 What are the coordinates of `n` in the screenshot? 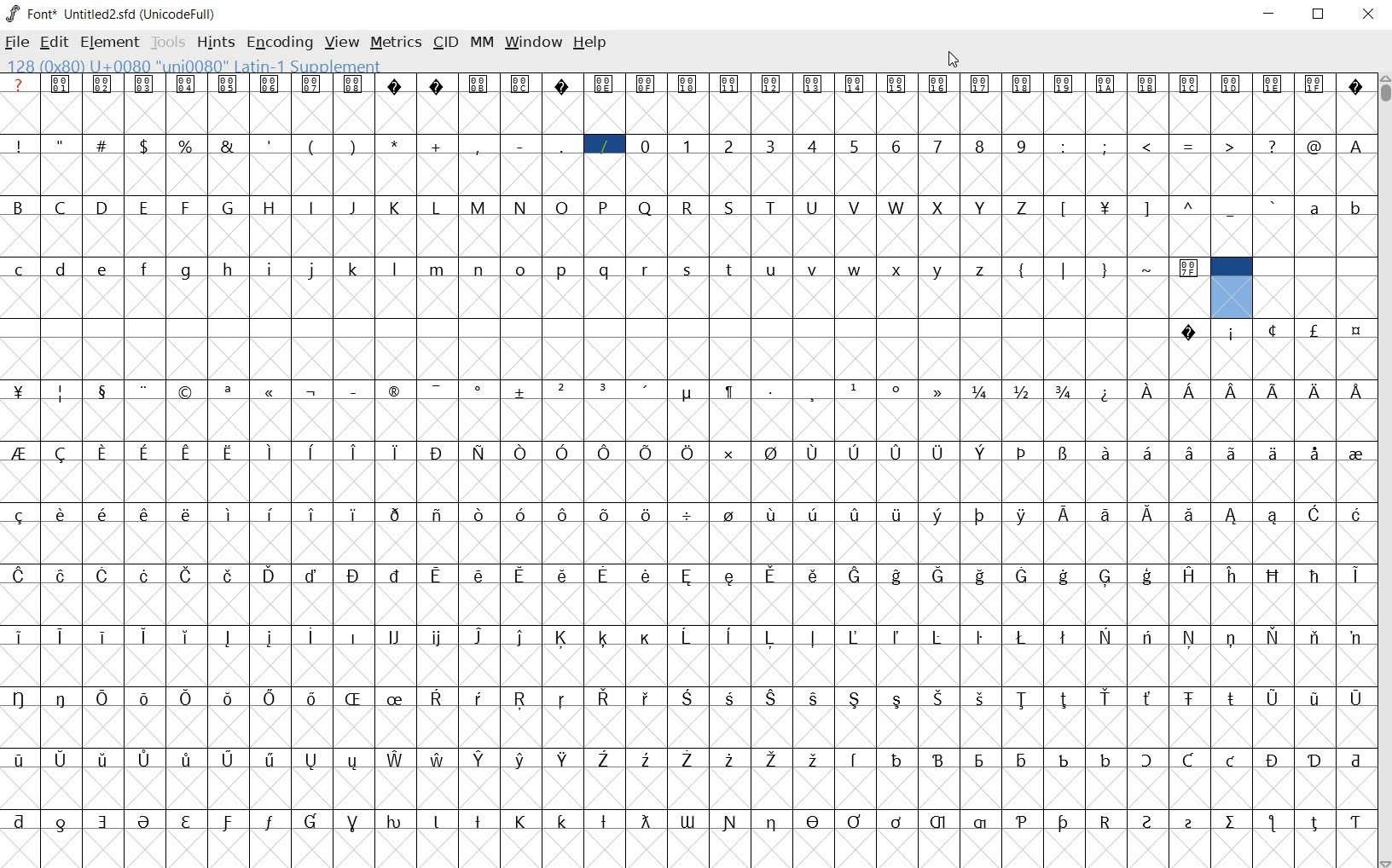 It's located at (480, 268).